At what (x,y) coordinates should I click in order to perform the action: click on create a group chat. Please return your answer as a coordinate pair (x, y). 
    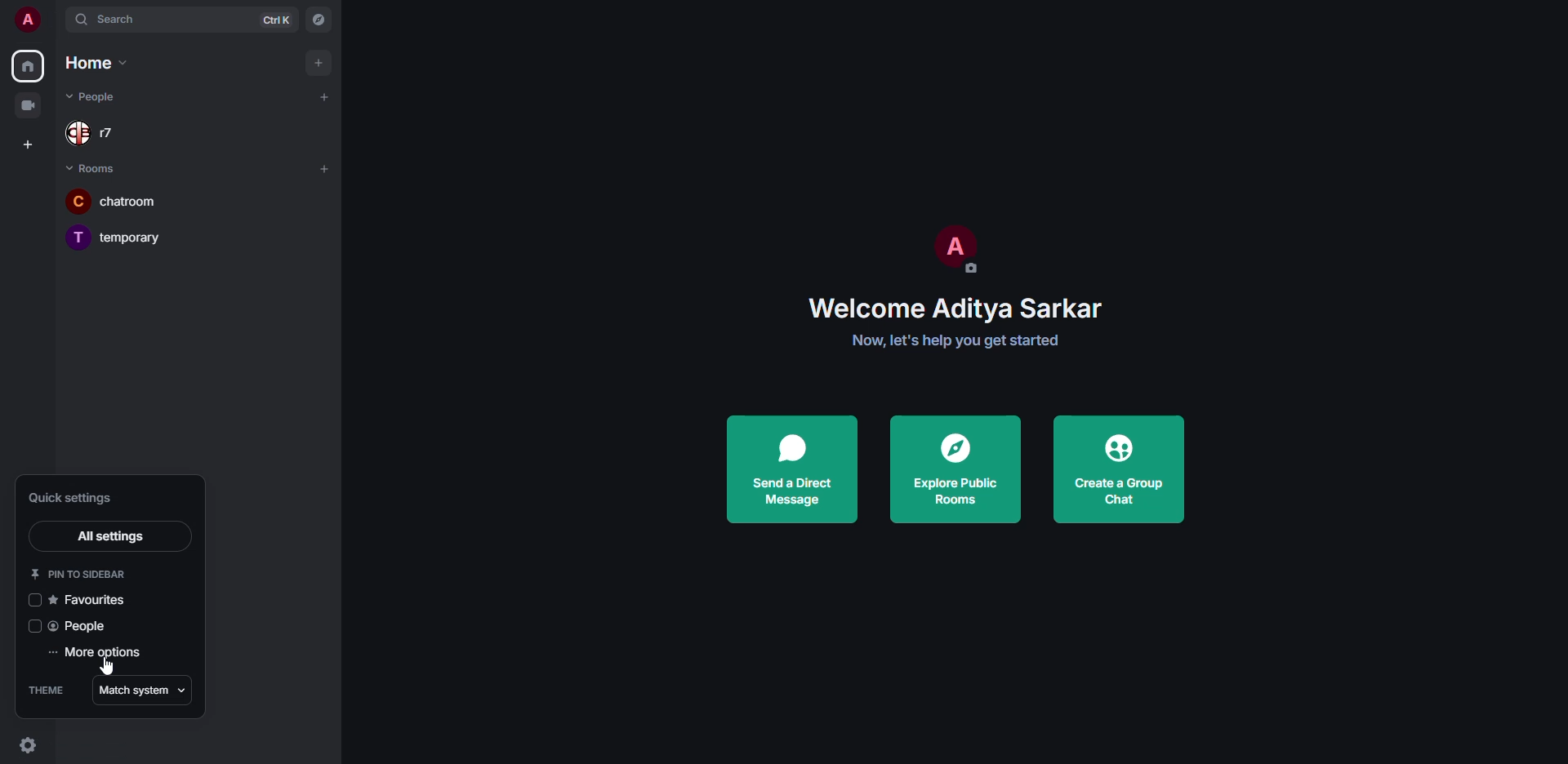
    Looking at the image, I should click on (1117, 470).